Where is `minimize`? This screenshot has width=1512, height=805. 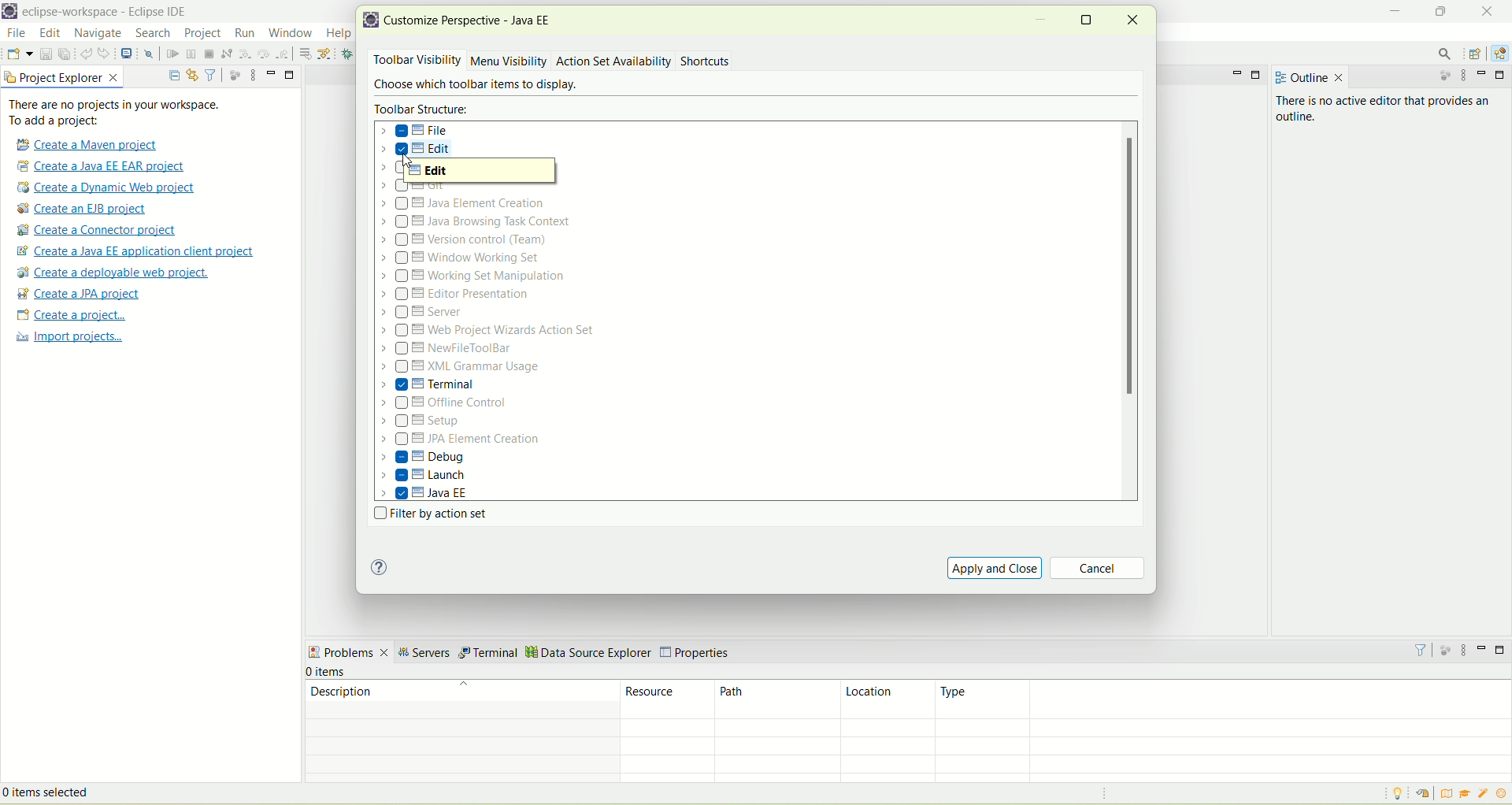 minimize is located at coordinates (1482, 647).